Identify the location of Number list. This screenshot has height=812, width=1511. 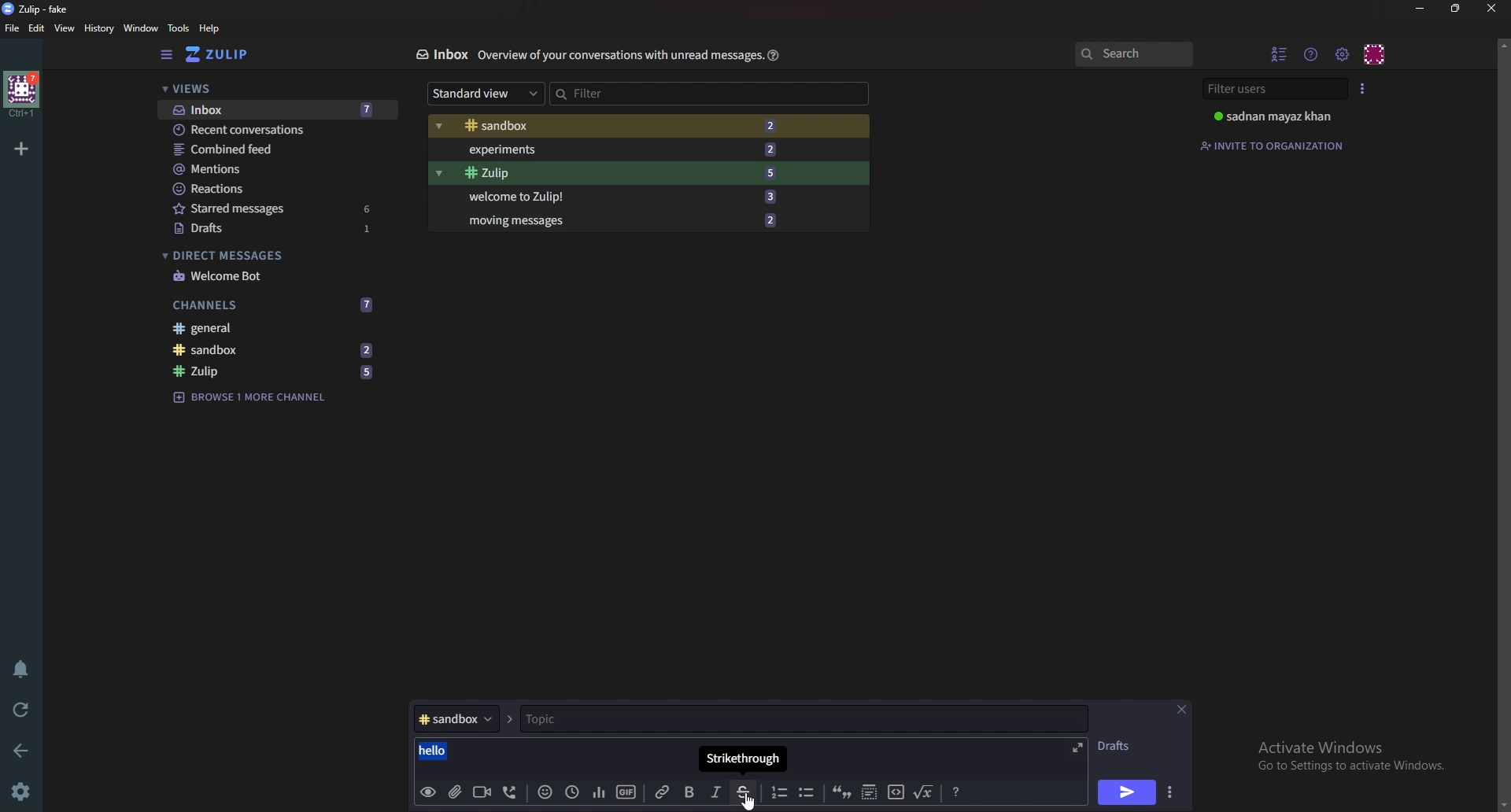
(777, 792).